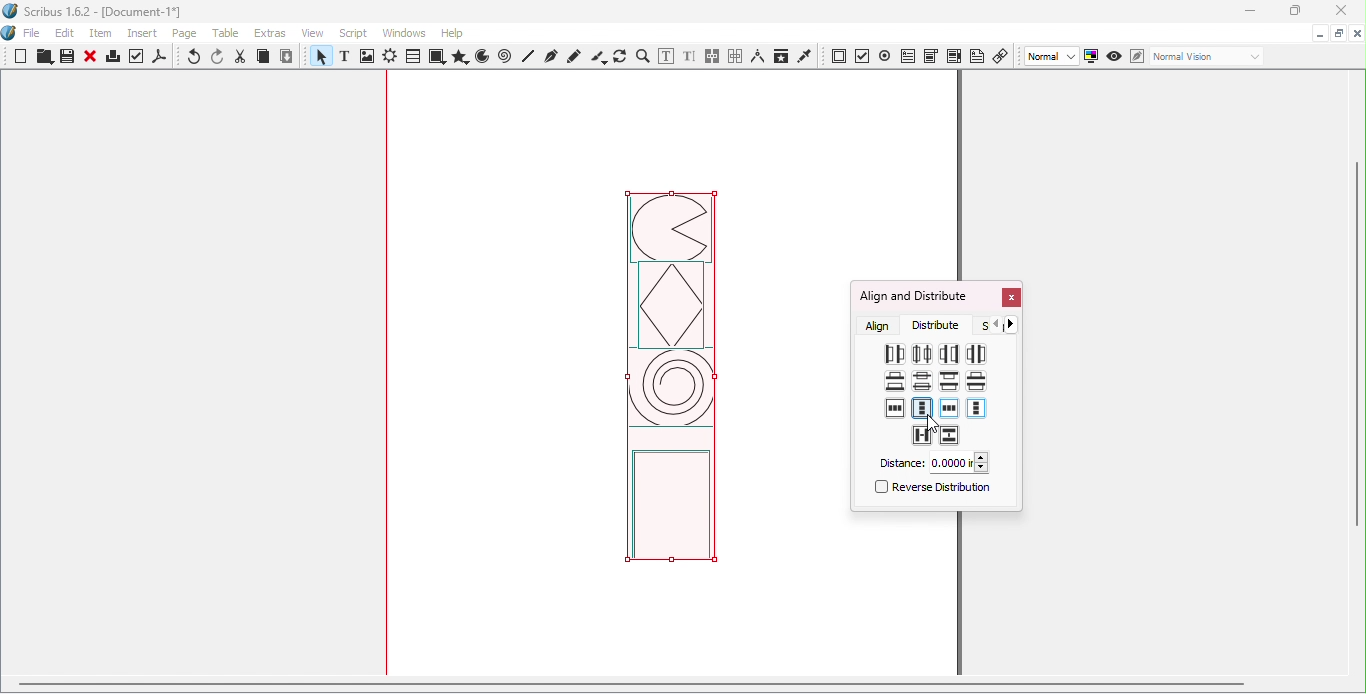 The image size is (1366, 694). What do you see at coordinates (976, 409) in the screenshot?
I see `Make vertical gaps between items and the top and bottom of page margins equal` at bounding box center [976, 409].